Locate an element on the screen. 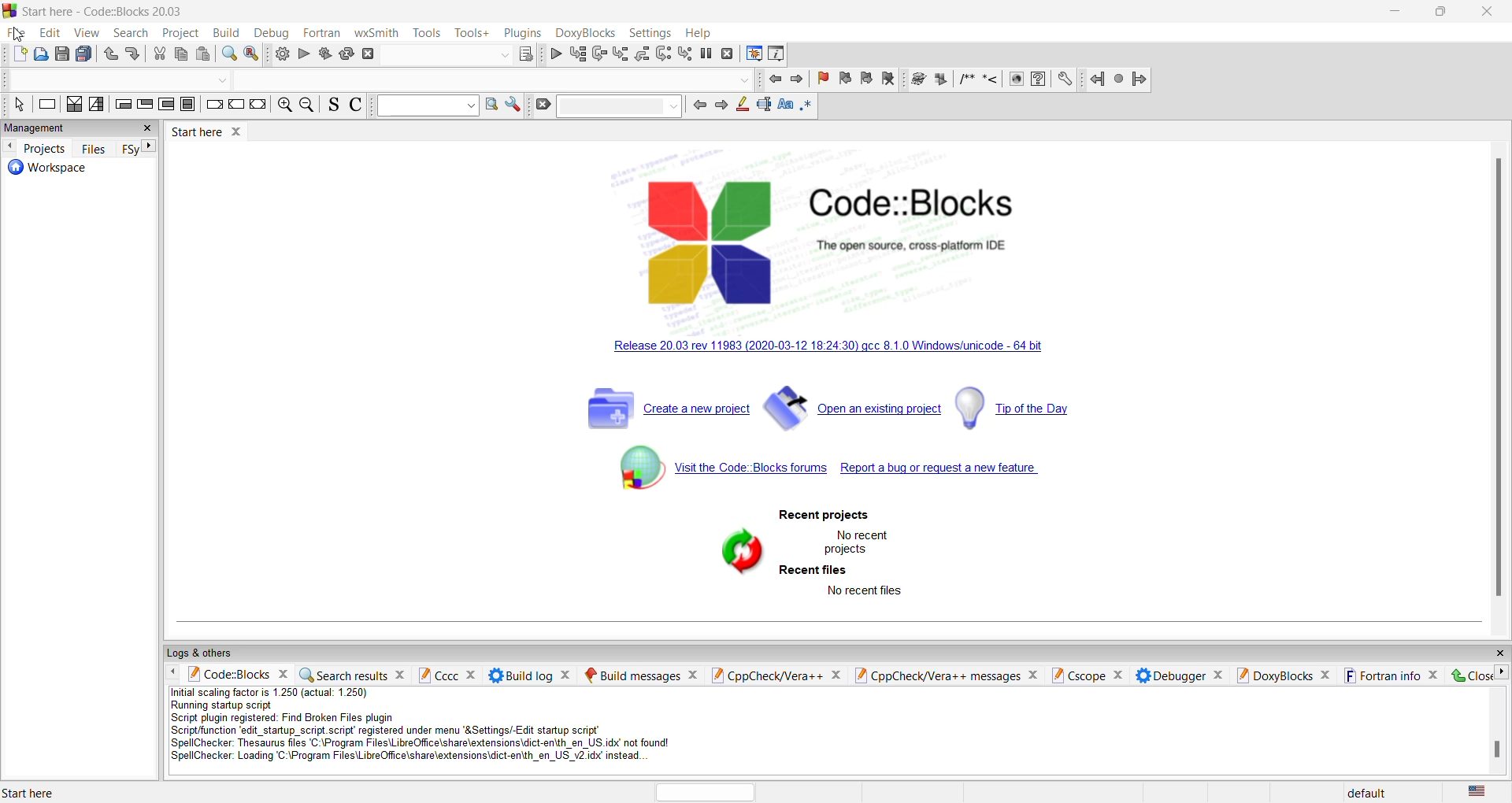  use regex is located at coordinates (807, 106).